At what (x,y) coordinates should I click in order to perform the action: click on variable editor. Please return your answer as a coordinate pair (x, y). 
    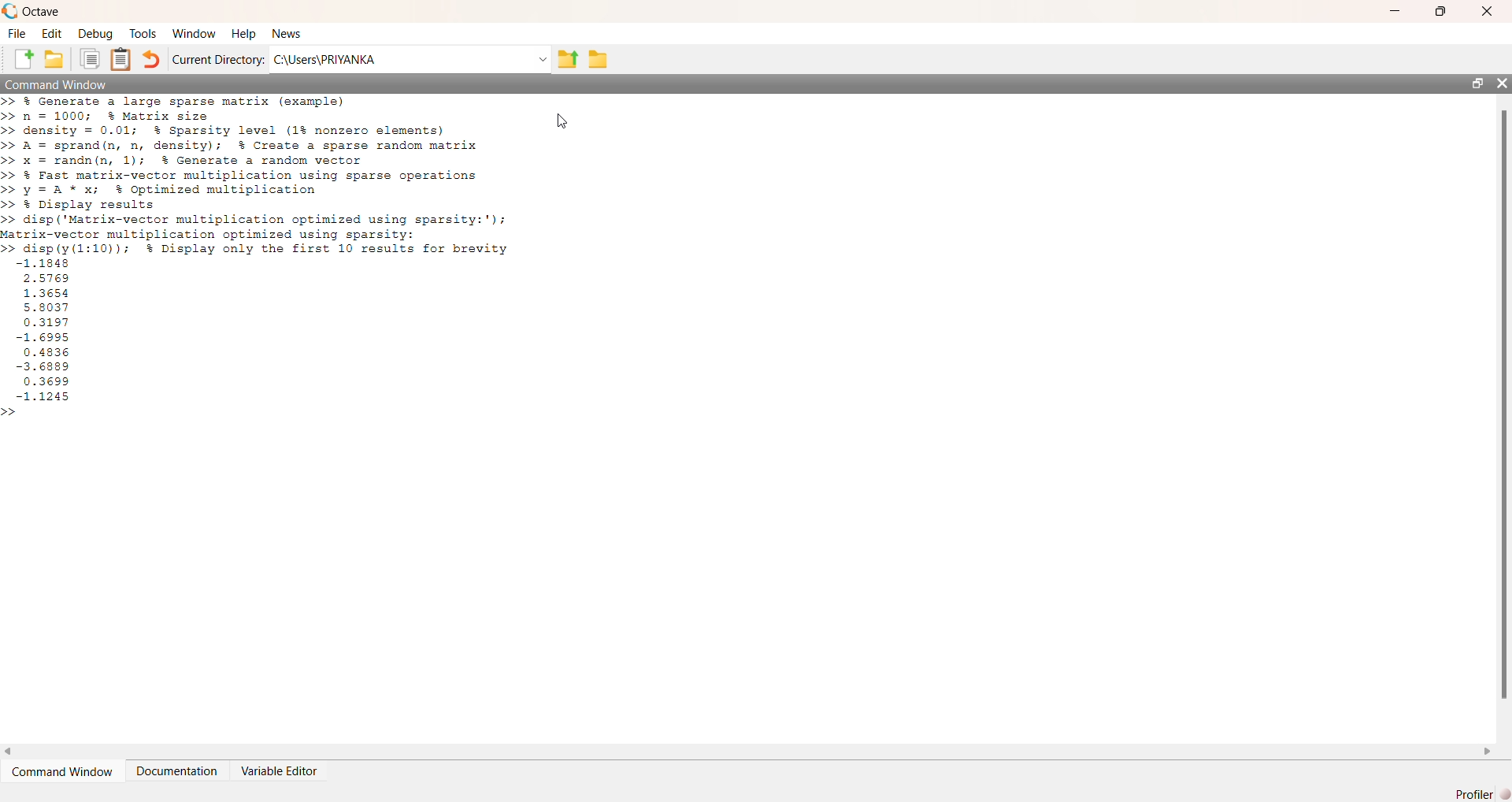
    Looking at the image, I should click on (291, 772).